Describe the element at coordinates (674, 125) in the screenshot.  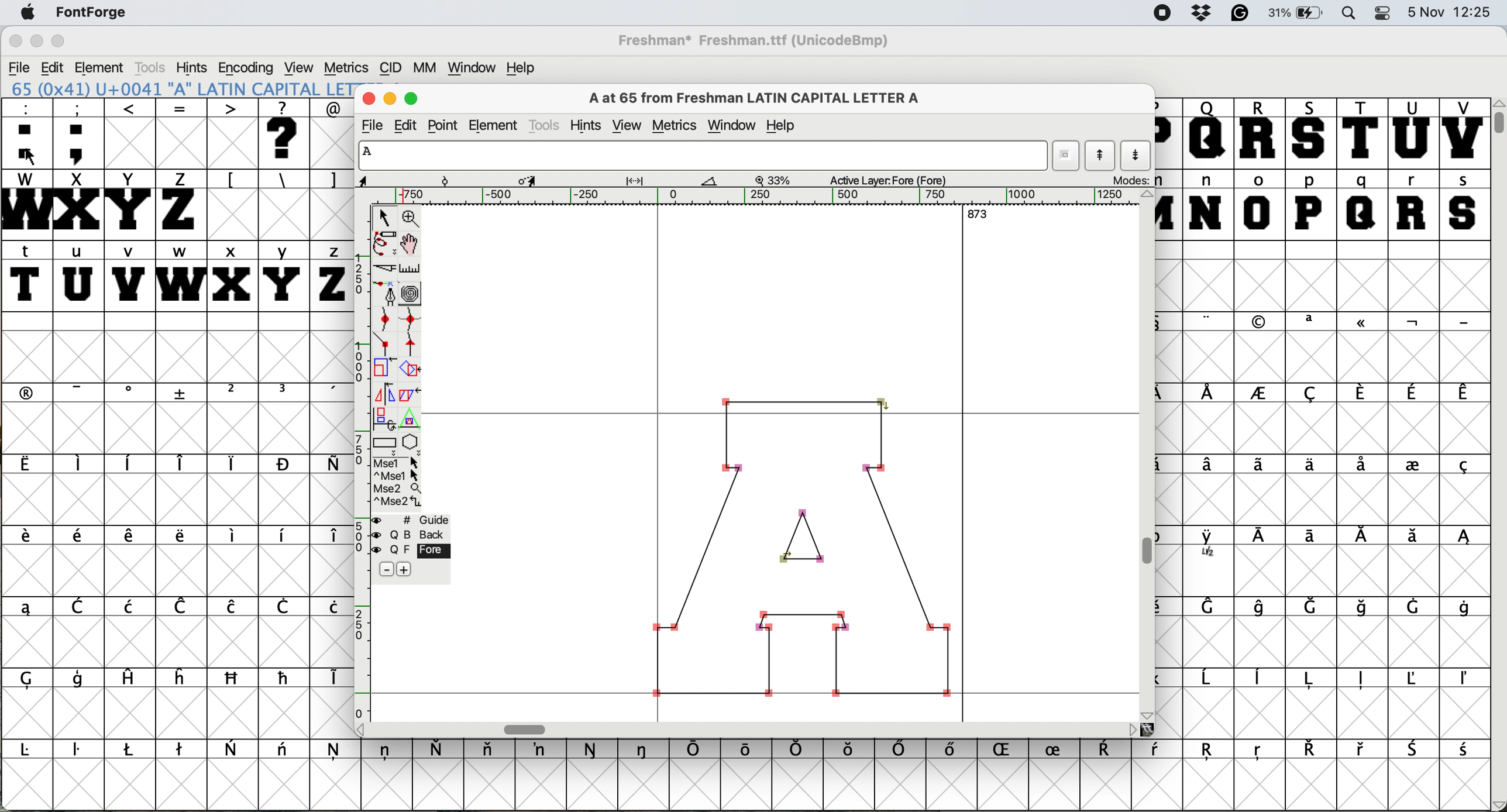
I see `metrics` at that location.